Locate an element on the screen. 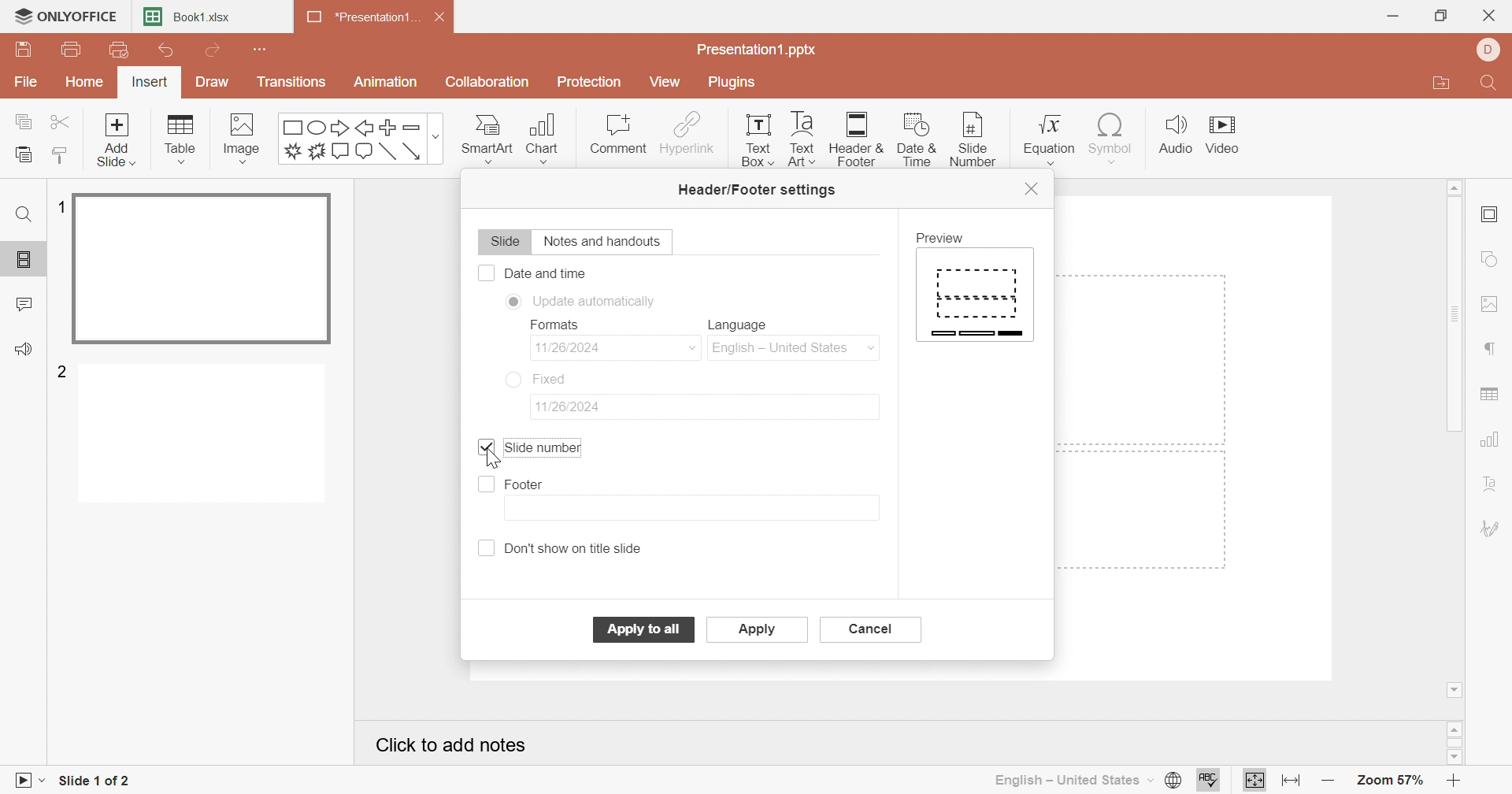  Hyperlink is located at coordinates (687, 133).